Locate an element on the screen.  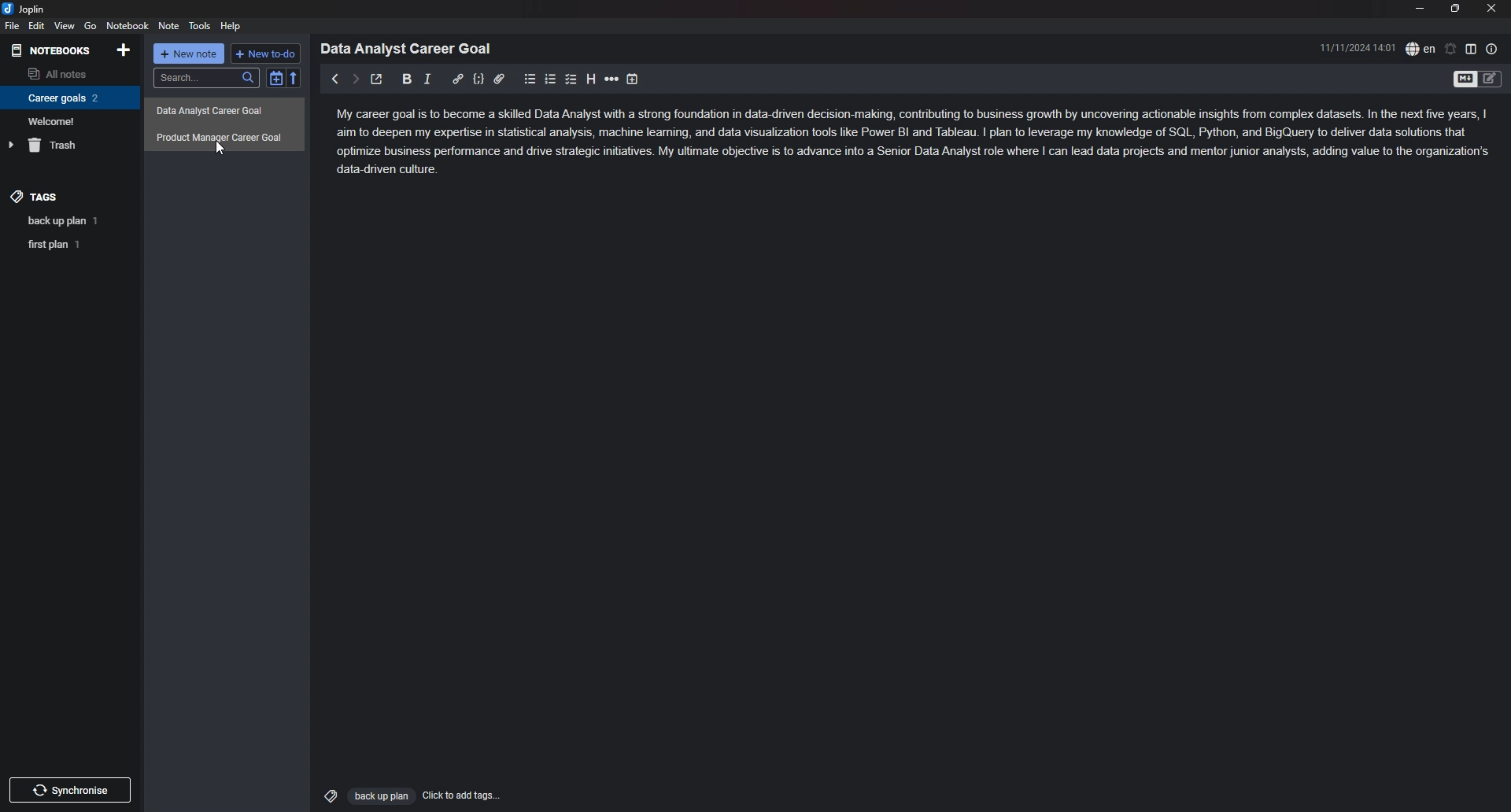
synchronise is located at coordinates (68, 789).